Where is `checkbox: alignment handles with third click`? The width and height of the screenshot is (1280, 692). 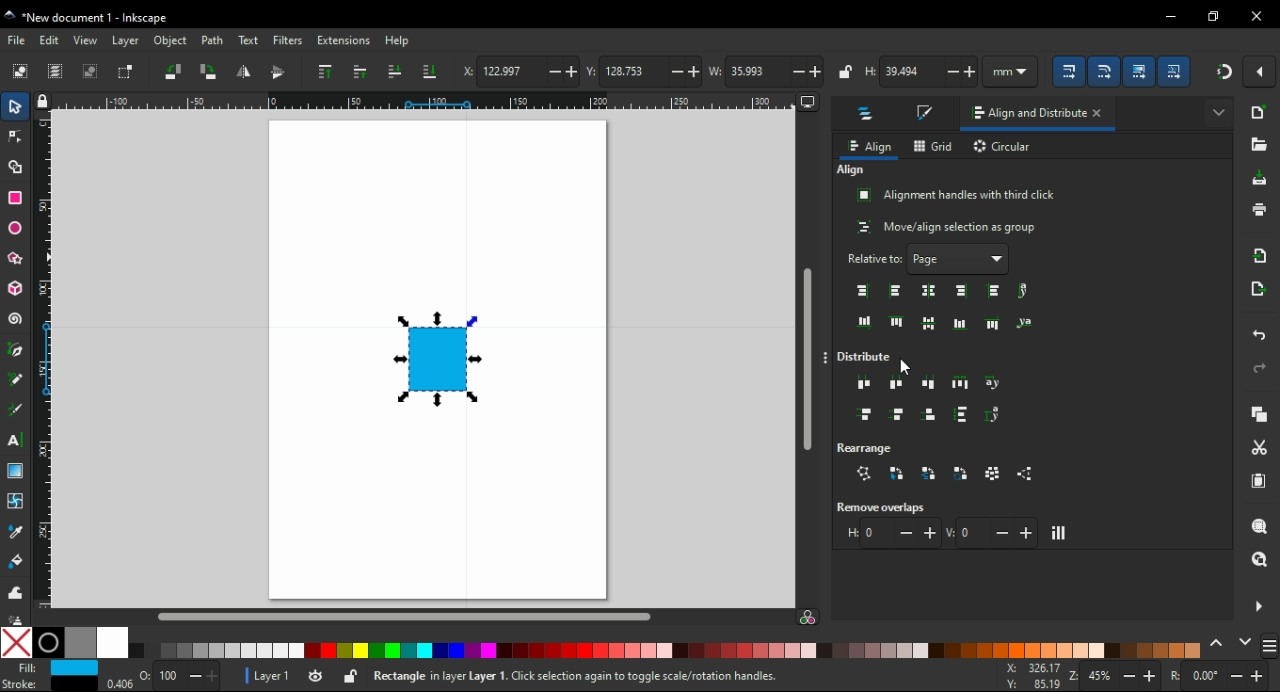
checkbox: alignment handles with third click is located at coordinates (957, 195).